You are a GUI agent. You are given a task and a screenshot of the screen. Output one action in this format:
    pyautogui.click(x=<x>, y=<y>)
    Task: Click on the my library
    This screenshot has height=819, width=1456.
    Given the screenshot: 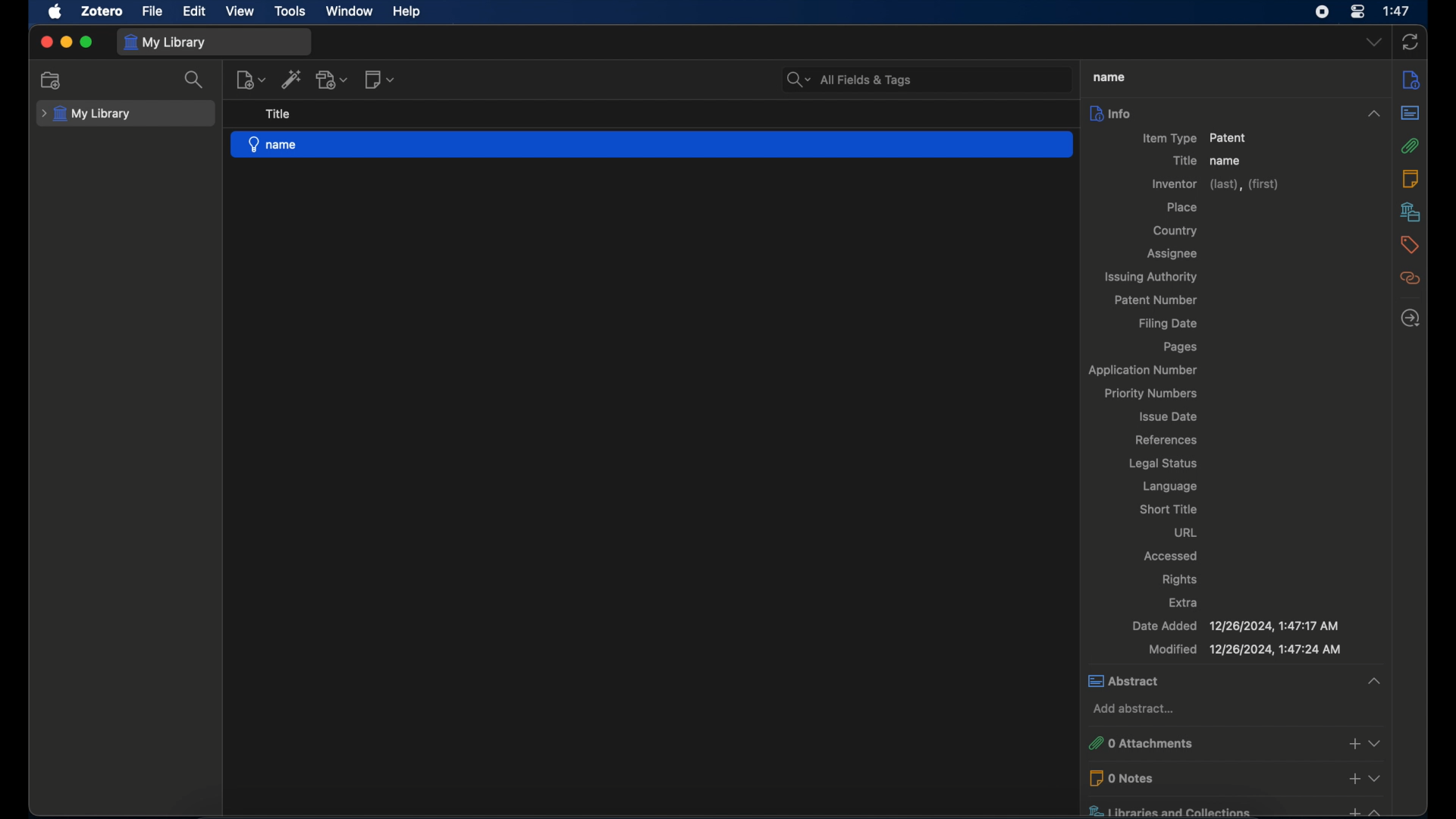 What is the action you would take?
    pyautogui.click(x=86, y=114)
    